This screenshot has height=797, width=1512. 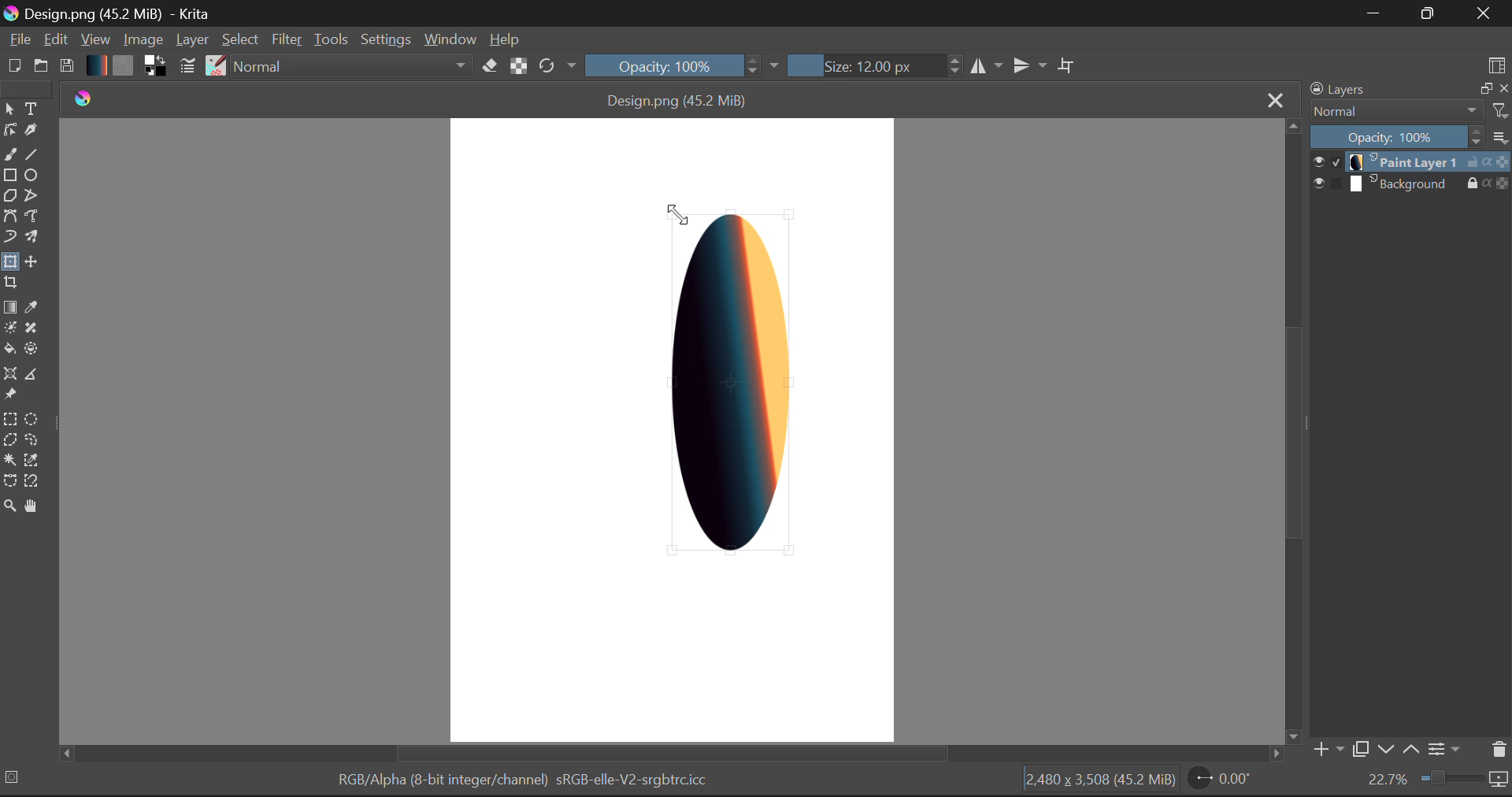 I want to click on Fill, so click(x=10, y=348).